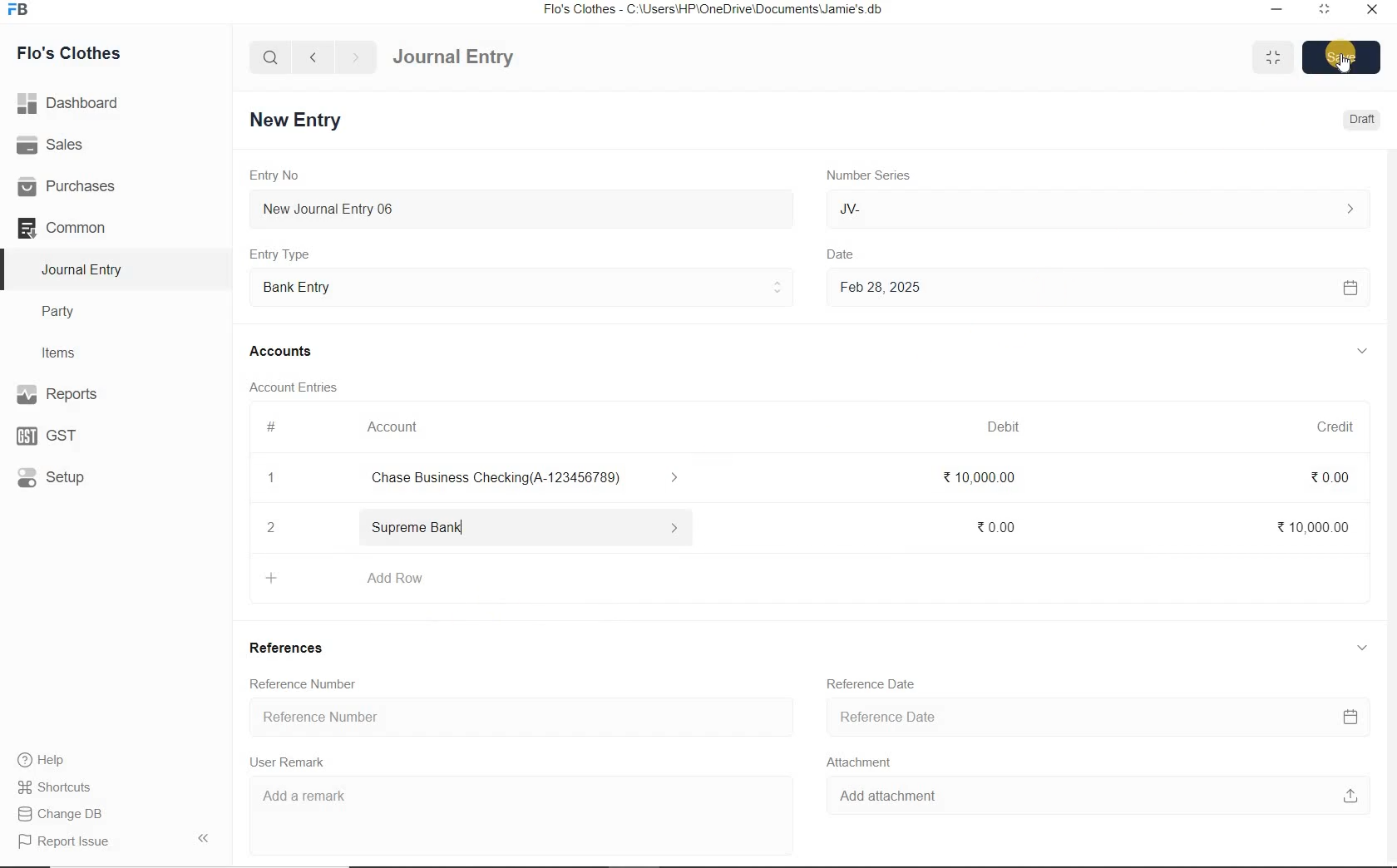 This screenshot has height=868, width=1397. Describe the element at coordinates (518, 800) in the screenshot. I see `Add a remark` at that location.